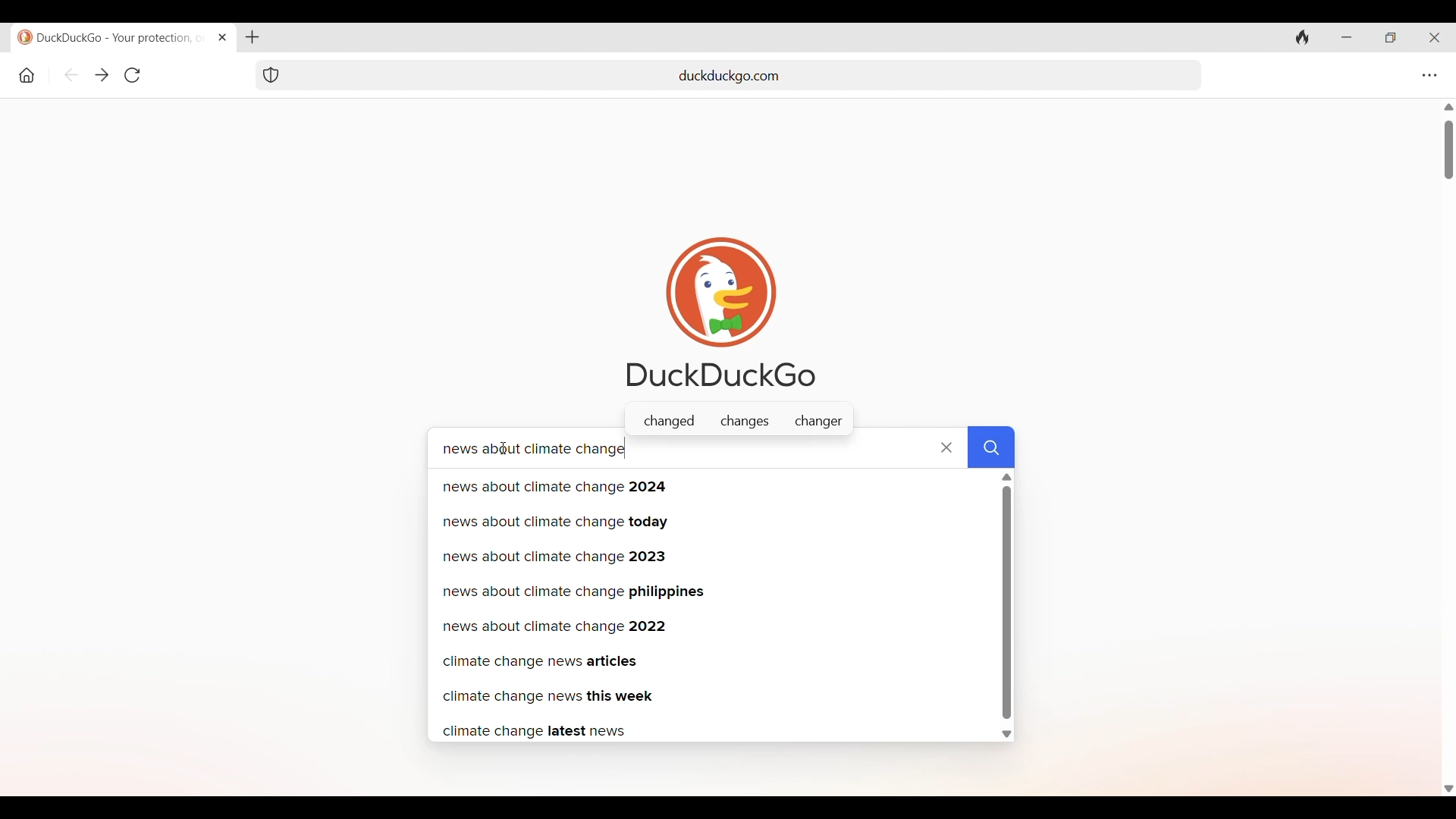 This screenshot has width=1456, height=819. What do you see at coordinates (708, 730) in the screenshot?
I see `Climate change latest news` at bounding box center [708, 730].